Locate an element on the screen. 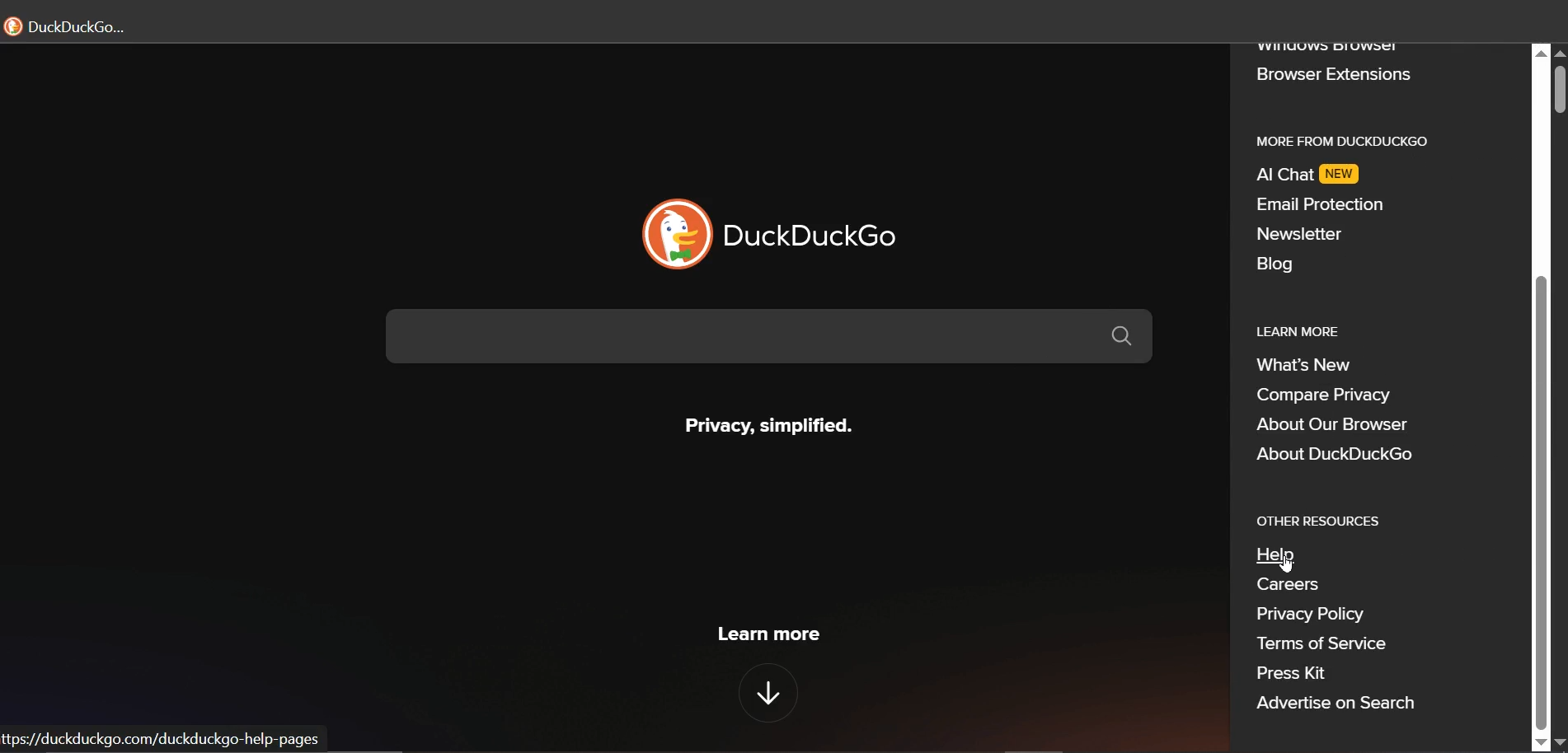 The width and height of the screenshot is (1568, 753). Privacy policy is located at coordinates (1307, 616).